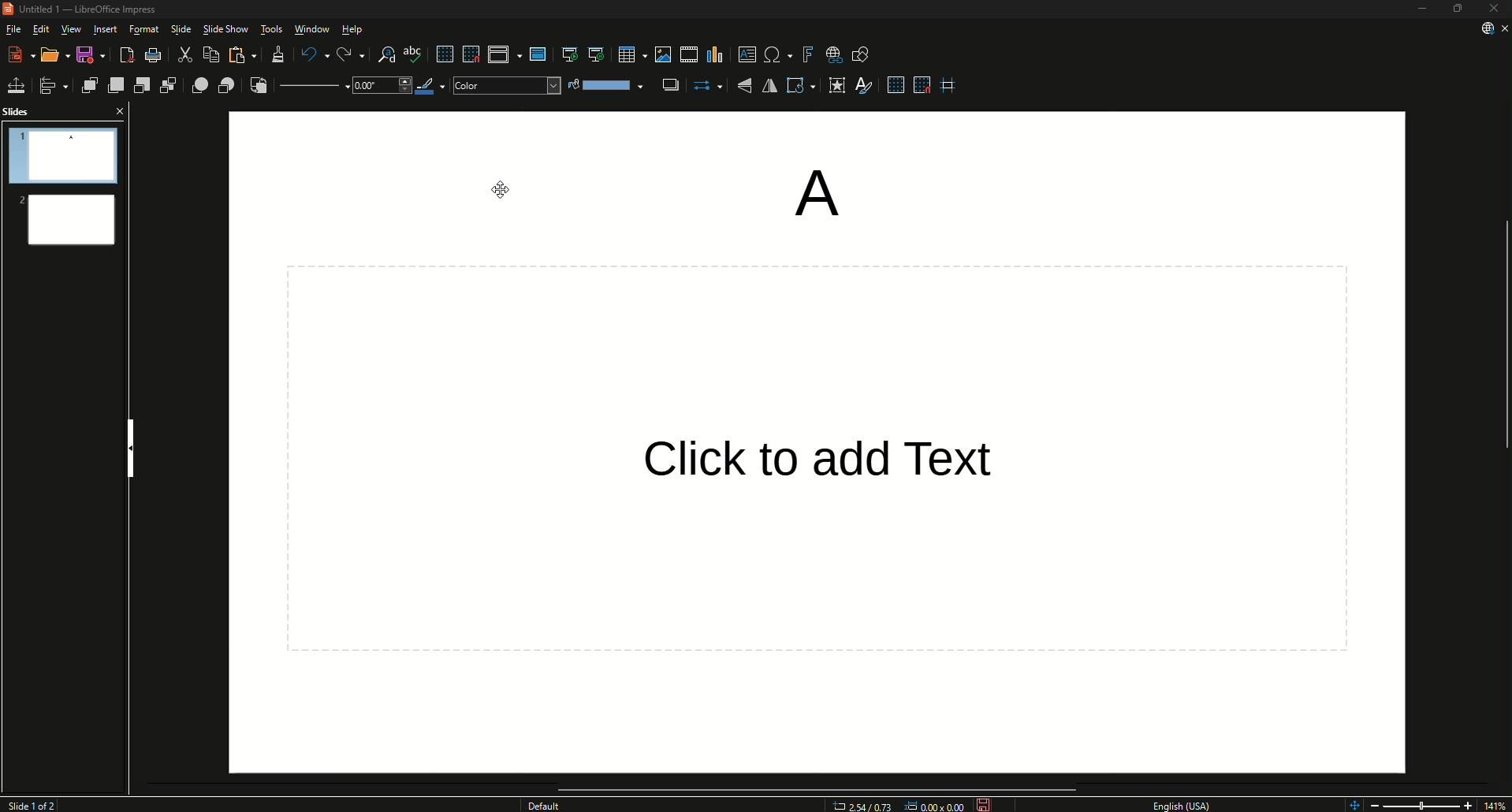 This screenshot has width=1512, height=812. What do you see at coordinates (345, 52) in the screenshot?
I see `Redo` at bounding box center [345, 52].